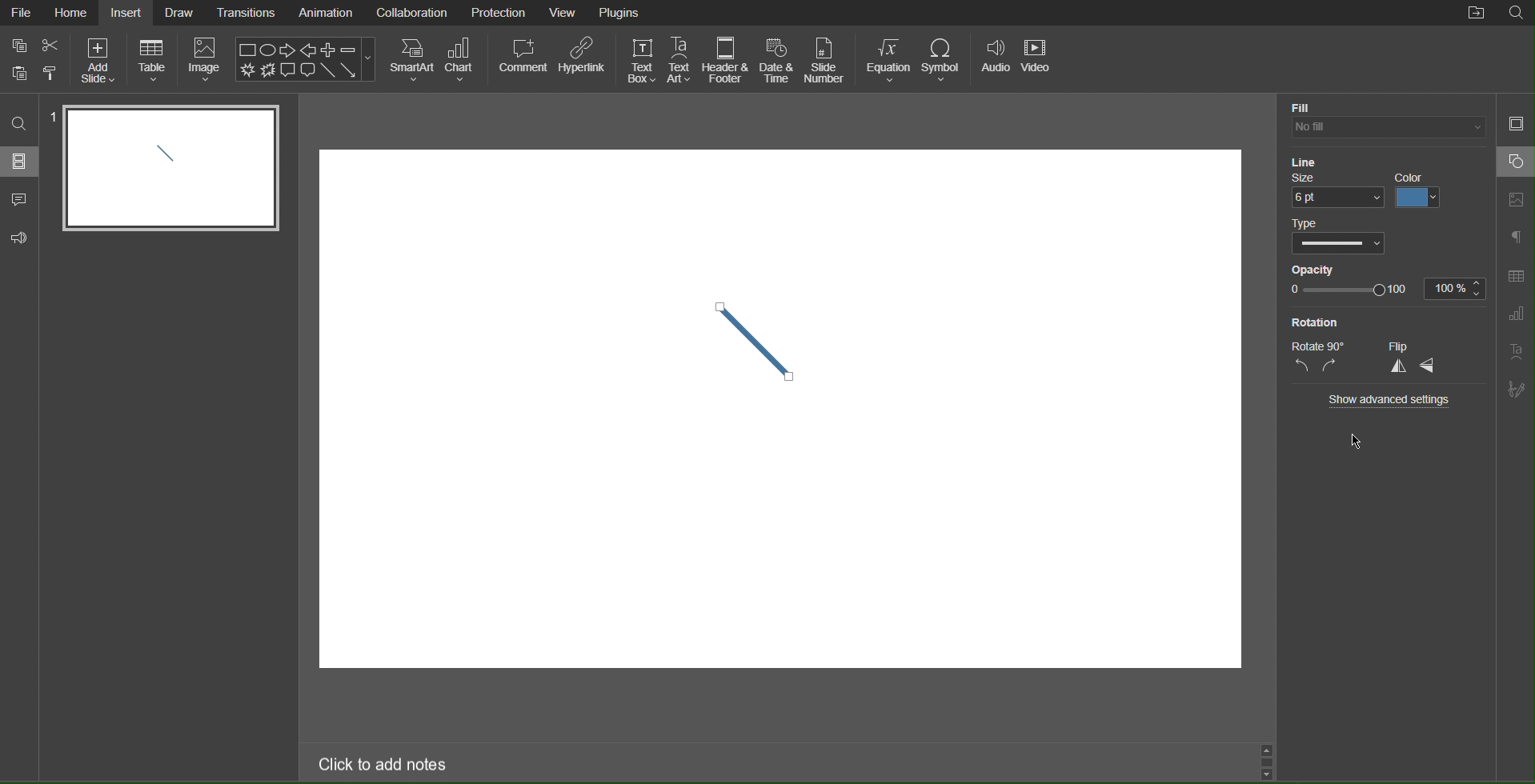  What do you see at coordinates (997, 59) in the screenshot?
I see `Audio` at bounding box center [997, 59].